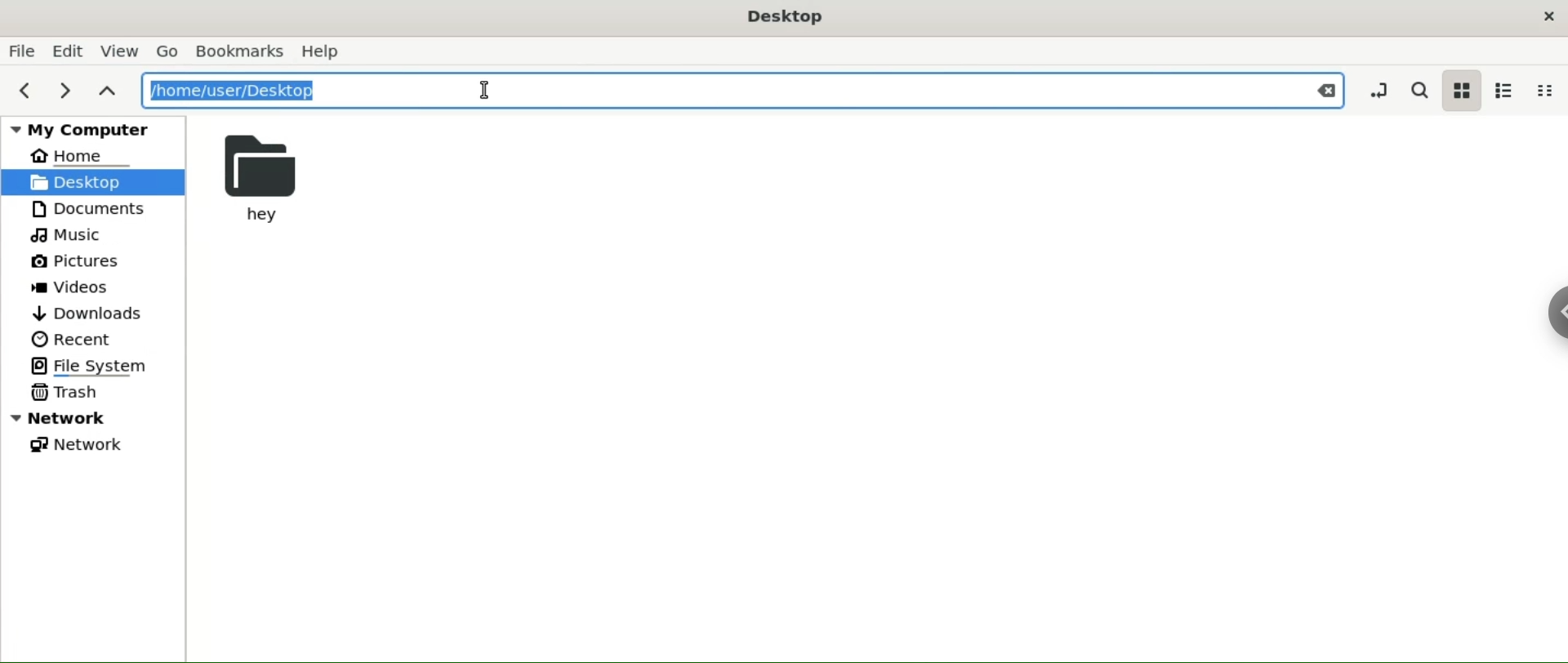 This screenshot has width=1568, height=663. What do you see at coordinates (75, 263) in the screenshot?
I see `pictures` at bounding box center [75, 263].